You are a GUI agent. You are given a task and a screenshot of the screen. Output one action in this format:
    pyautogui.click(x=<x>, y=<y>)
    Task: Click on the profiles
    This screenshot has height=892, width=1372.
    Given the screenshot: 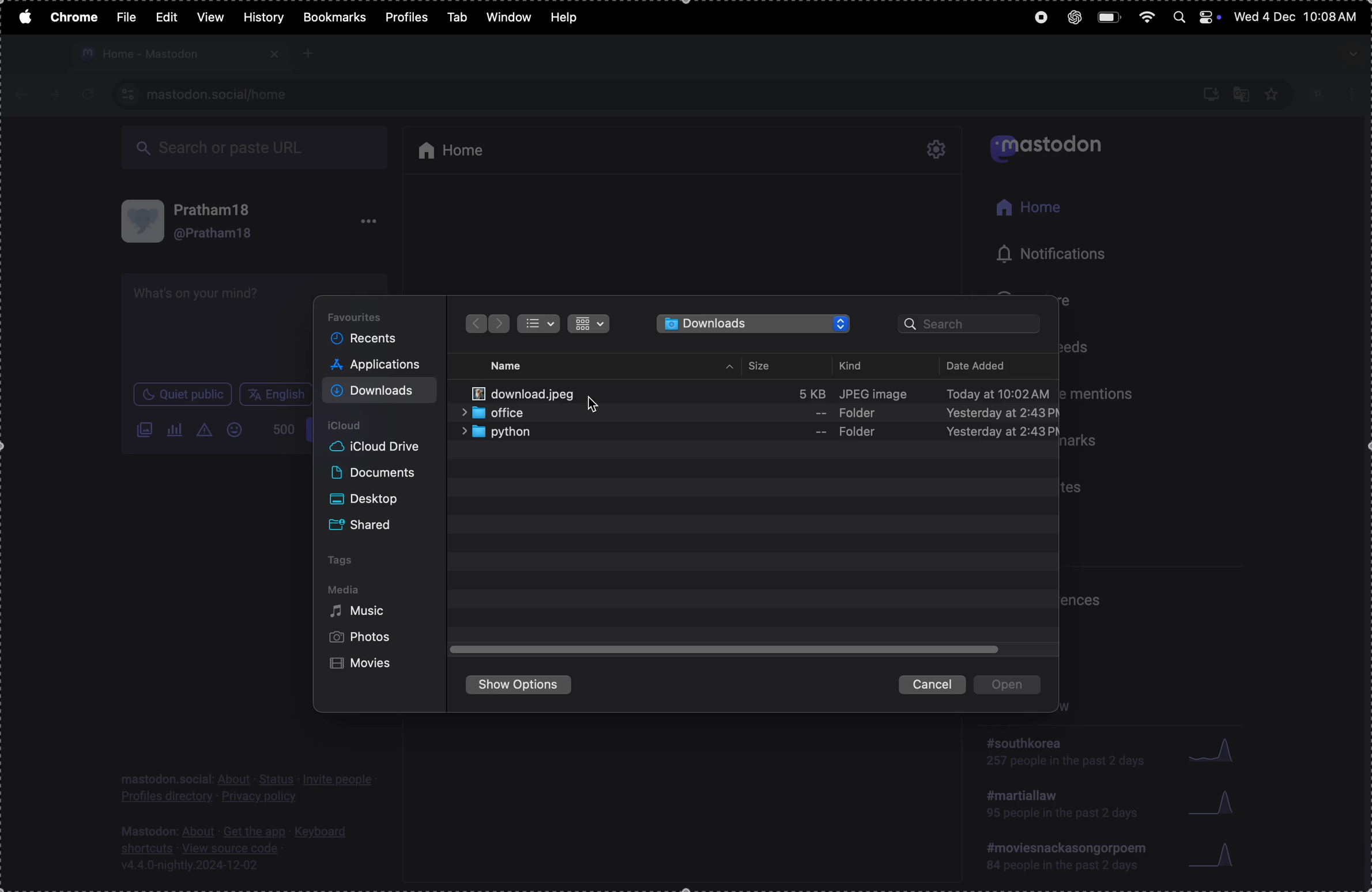 What is the action you would take?
    pyautogui.click(x=406, y=18)
    